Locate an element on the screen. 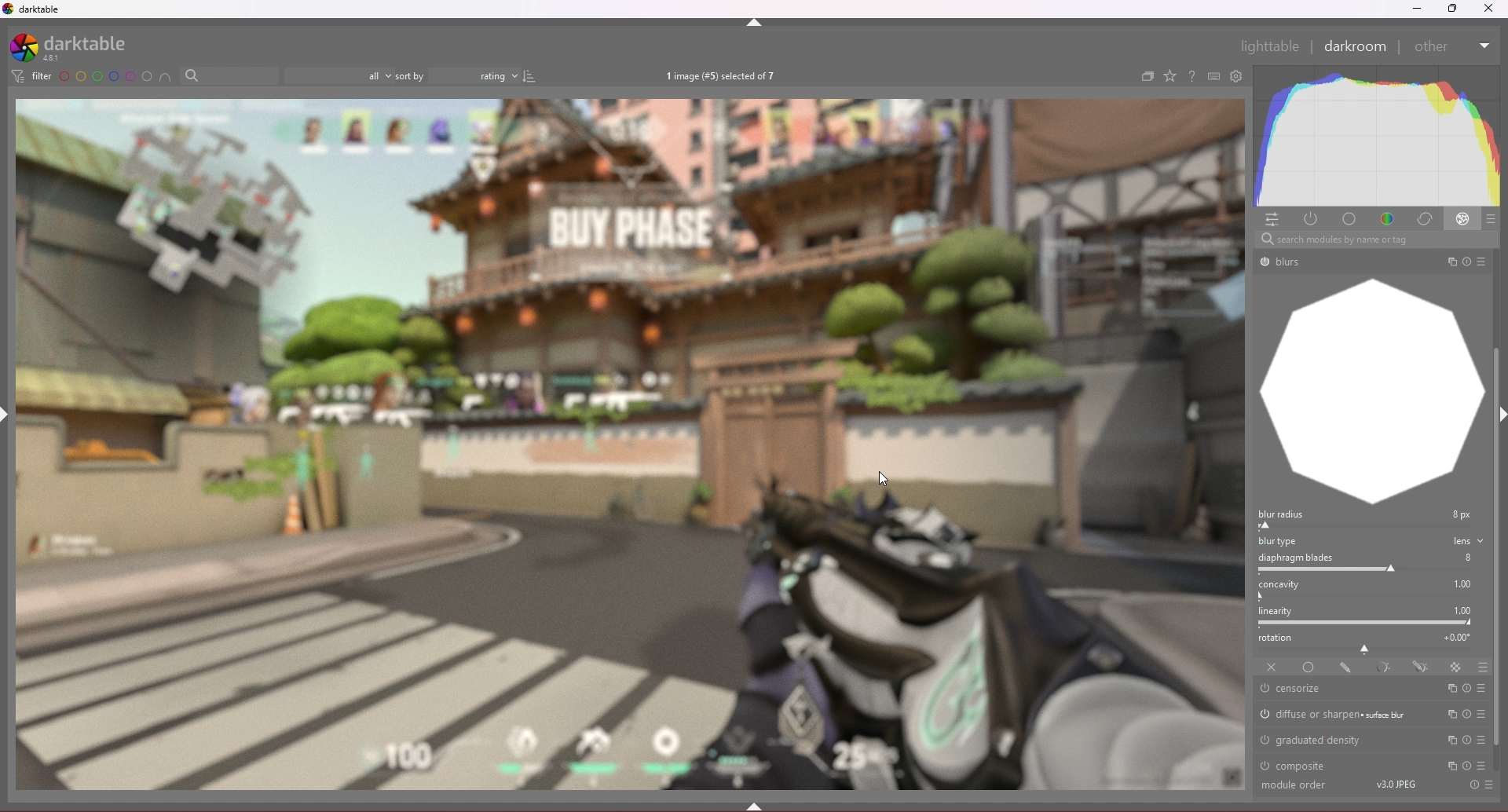  base is located at coordinates (1352, 219).